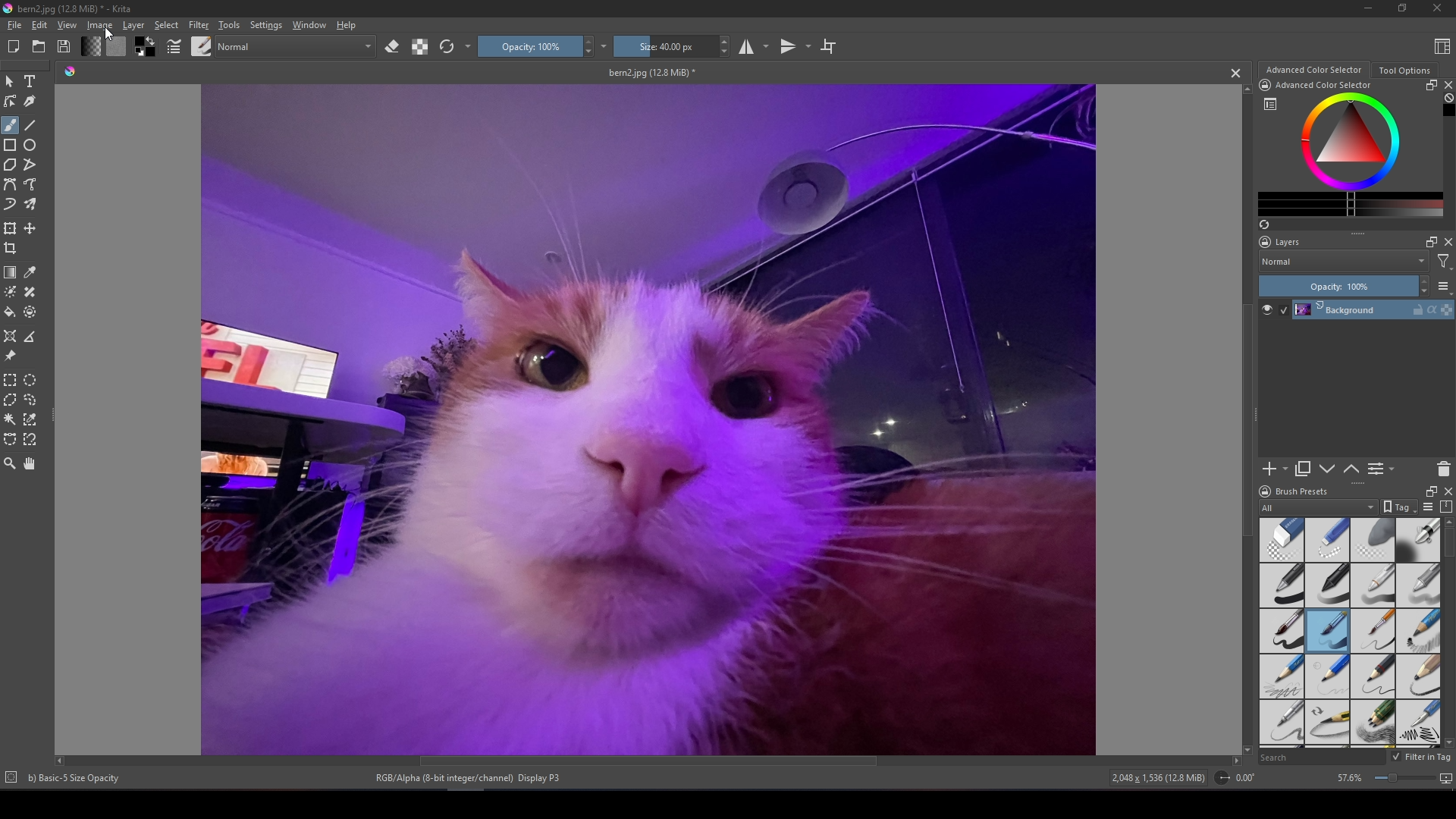  Describe the element at coordinates (647, 418) in the screenshot. I see `Image ` at that location.